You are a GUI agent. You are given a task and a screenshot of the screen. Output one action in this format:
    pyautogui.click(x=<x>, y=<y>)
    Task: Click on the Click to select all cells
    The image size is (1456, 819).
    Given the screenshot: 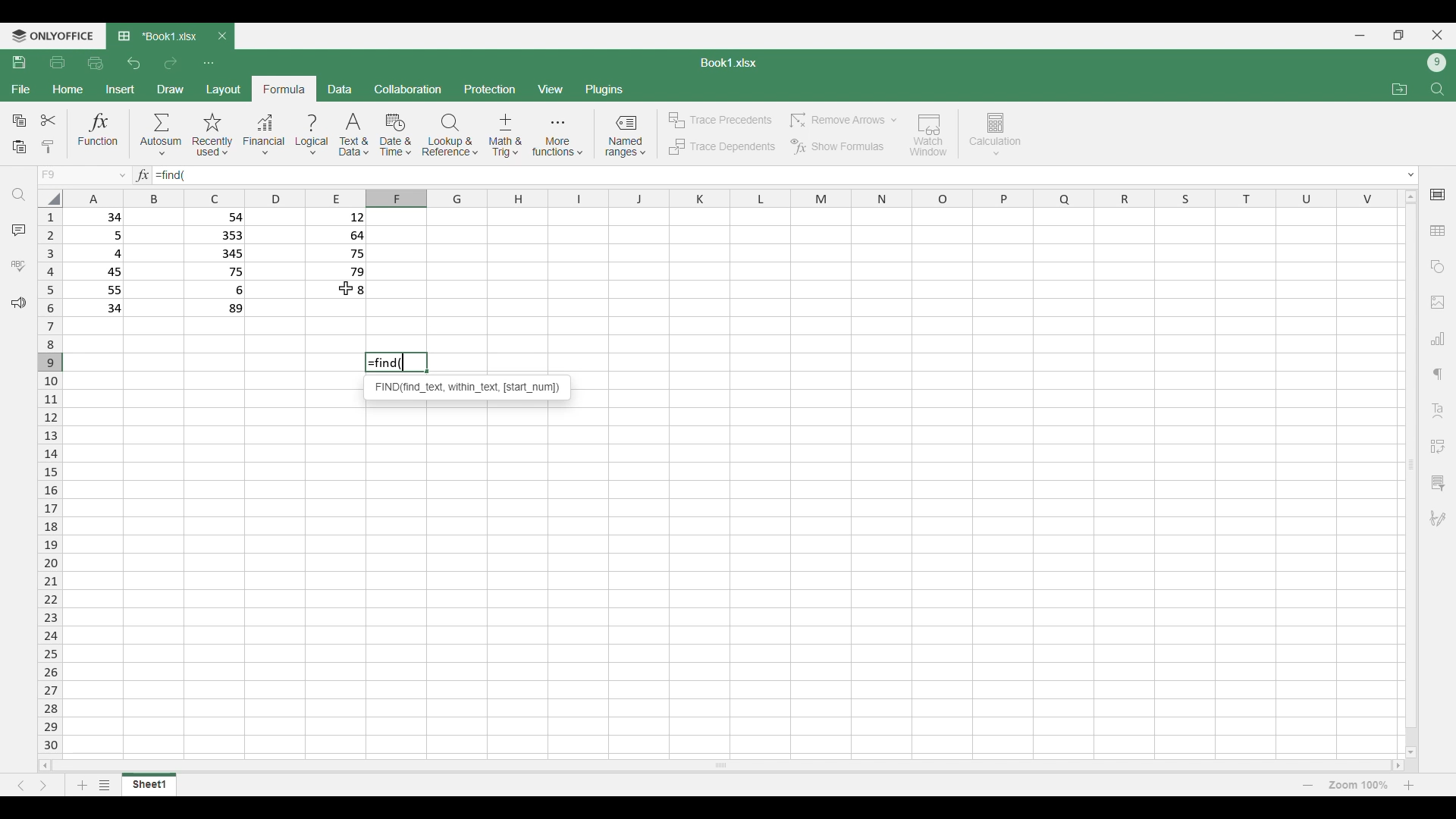 What is the action you would take?
    pyautogui.click(x=49, y=198)
    